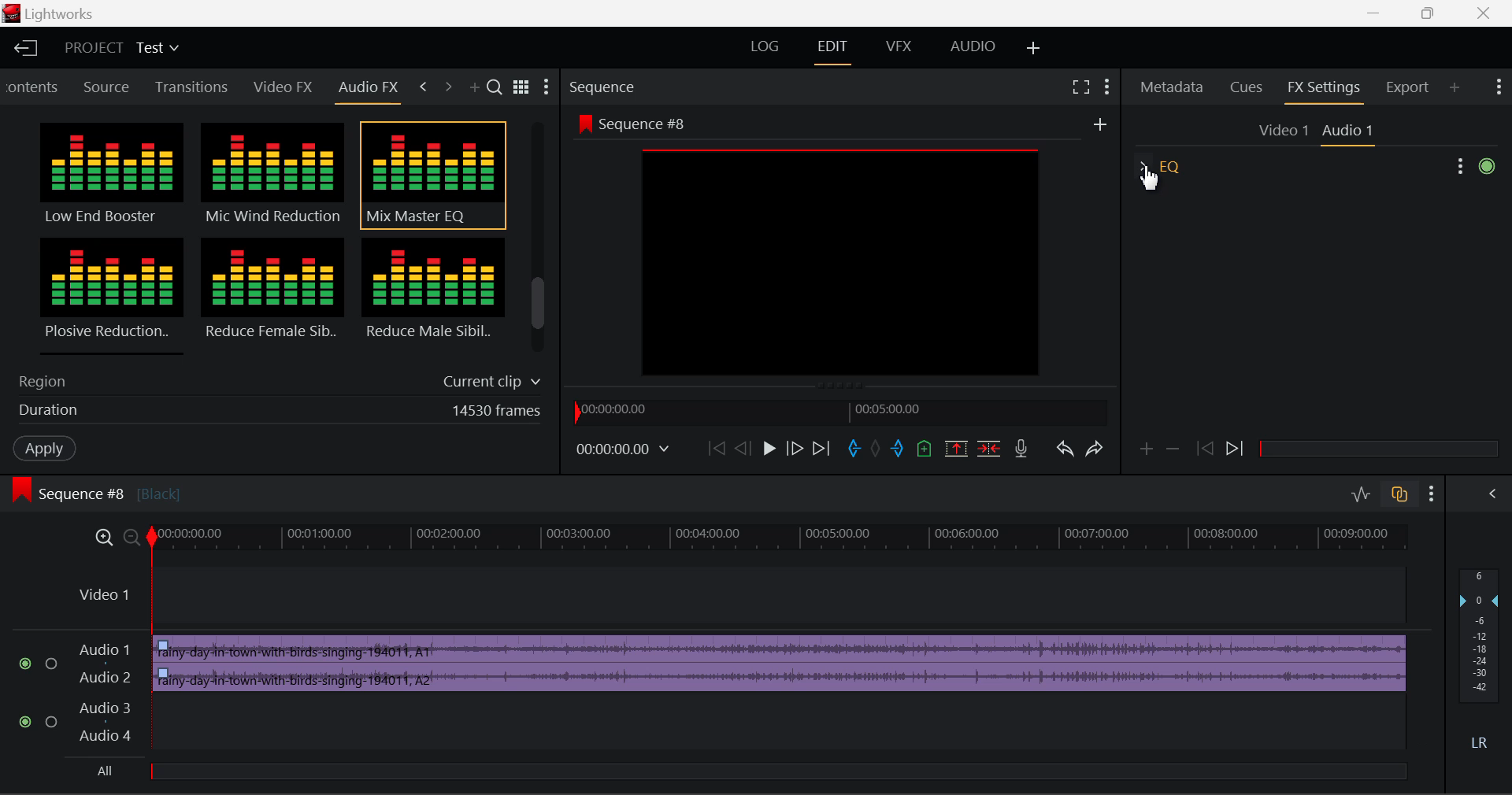 This screenshot has width=1512, height=795. What do you see at coordinates (109, 87) in the screenshot?
I see `Source` at bounding box center [109, 87].